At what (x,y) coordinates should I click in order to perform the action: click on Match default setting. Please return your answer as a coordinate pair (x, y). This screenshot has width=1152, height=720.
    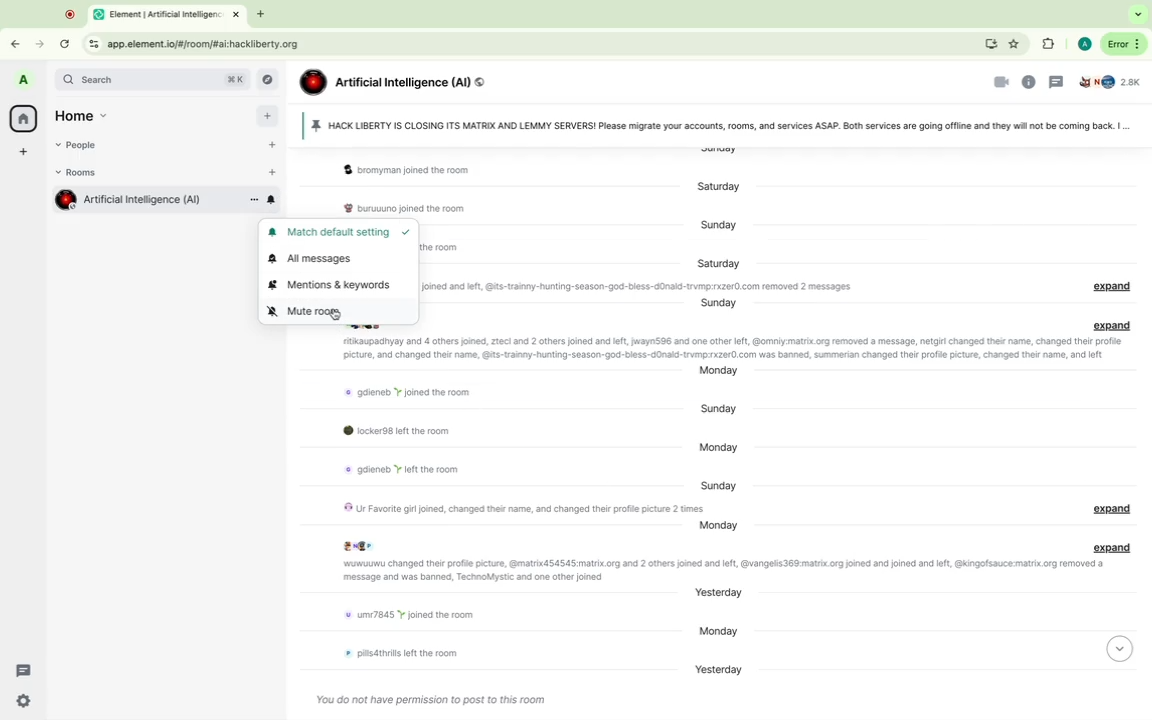
    Looking at the image, I should click on (339, 237).